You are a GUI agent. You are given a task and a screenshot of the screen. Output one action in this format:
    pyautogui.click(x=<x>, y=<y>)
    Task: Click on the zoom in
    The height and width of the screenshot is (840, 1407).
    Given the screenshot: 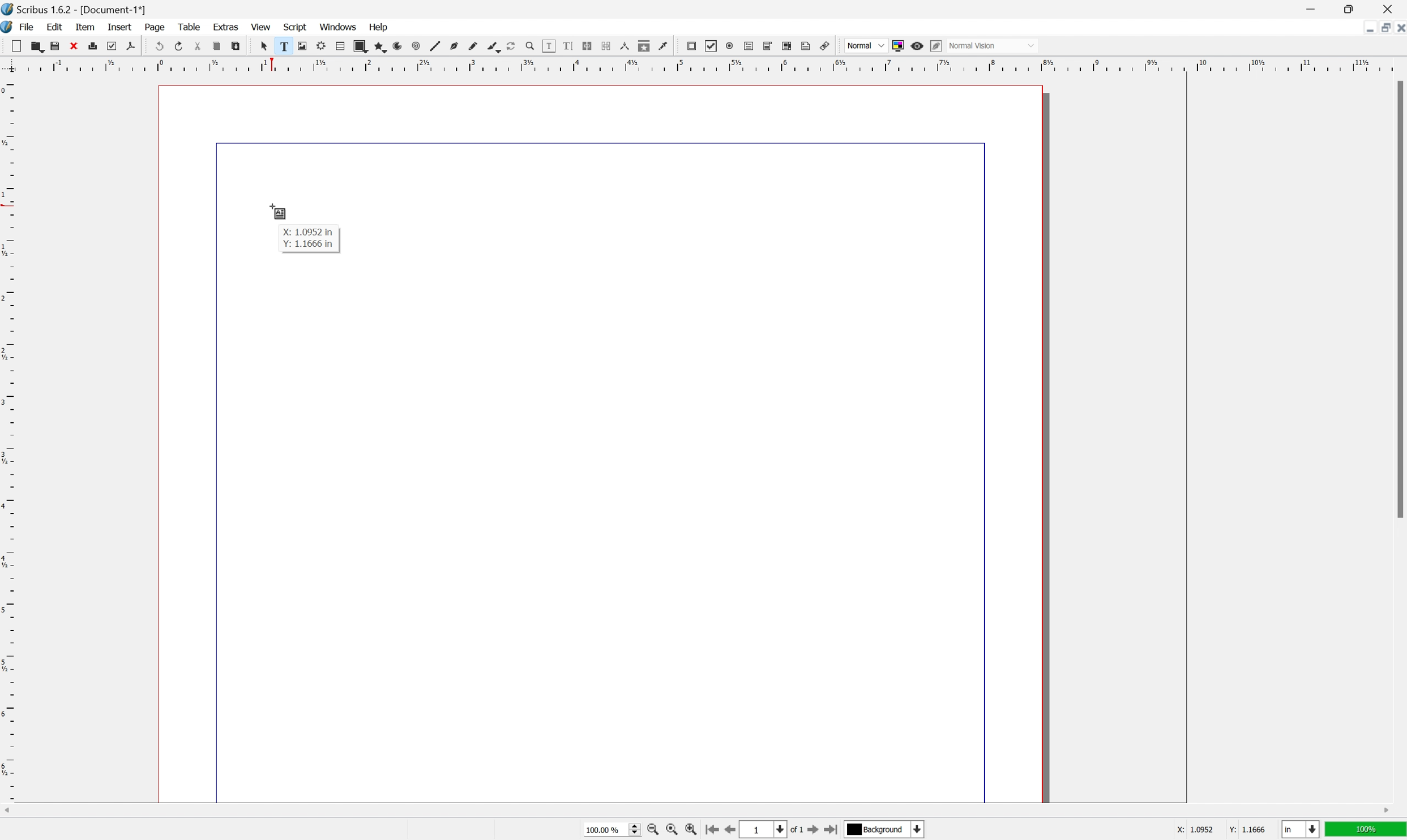 What is the action you would take?
    pyautogui.click(x=692, y=831)
    